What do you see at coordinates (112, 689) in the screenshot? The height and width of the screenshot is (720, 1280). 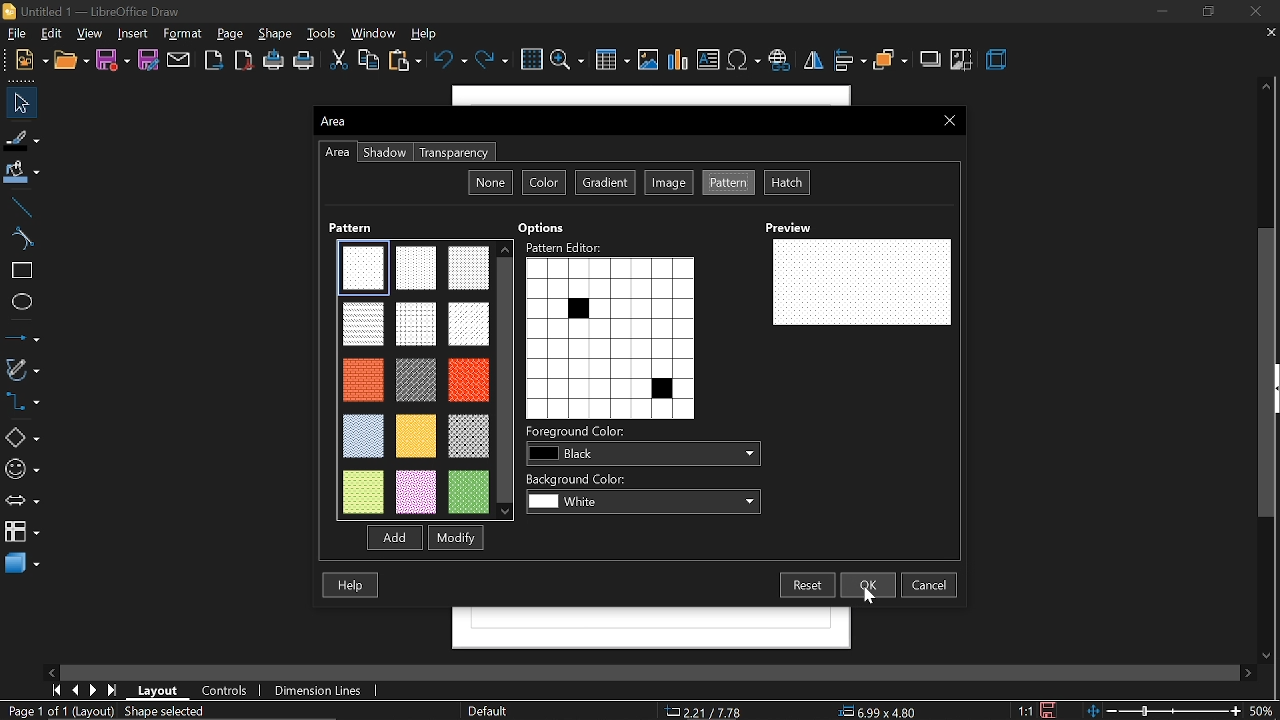 I see `go to last page` at bounding box center [112, 689].